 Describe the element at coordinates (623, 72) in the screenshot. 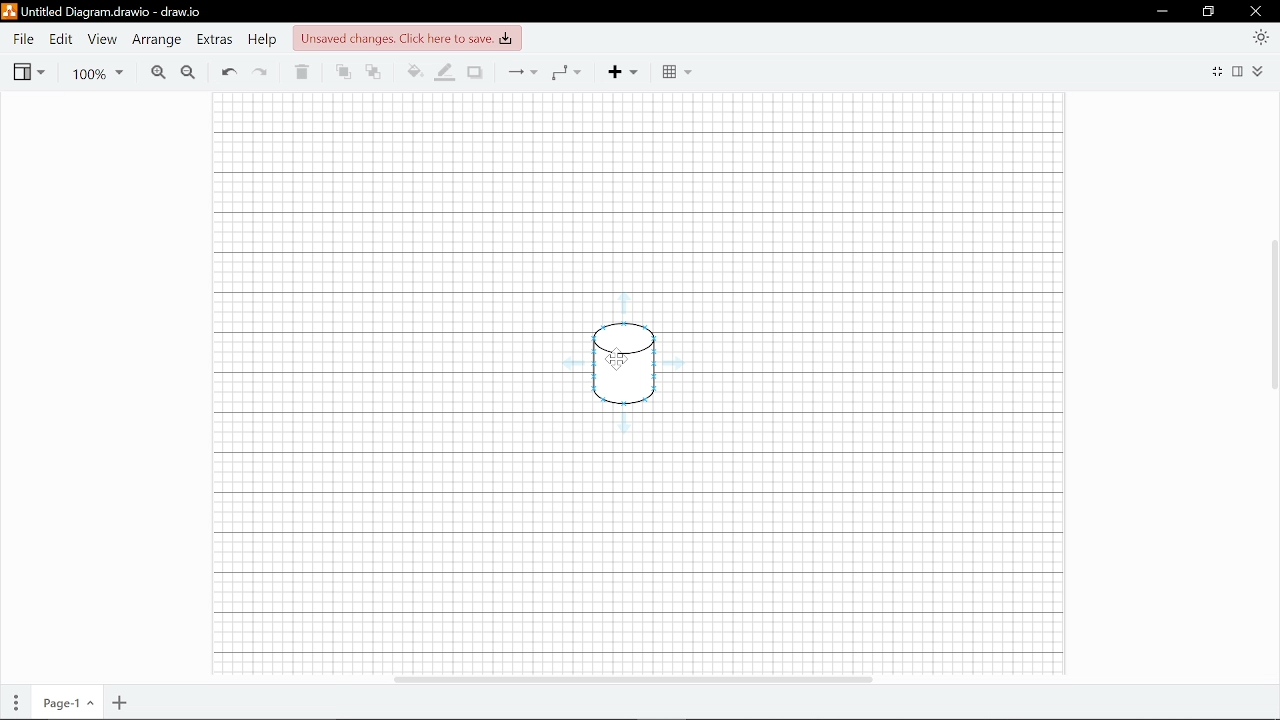

I see `Add` at that location.